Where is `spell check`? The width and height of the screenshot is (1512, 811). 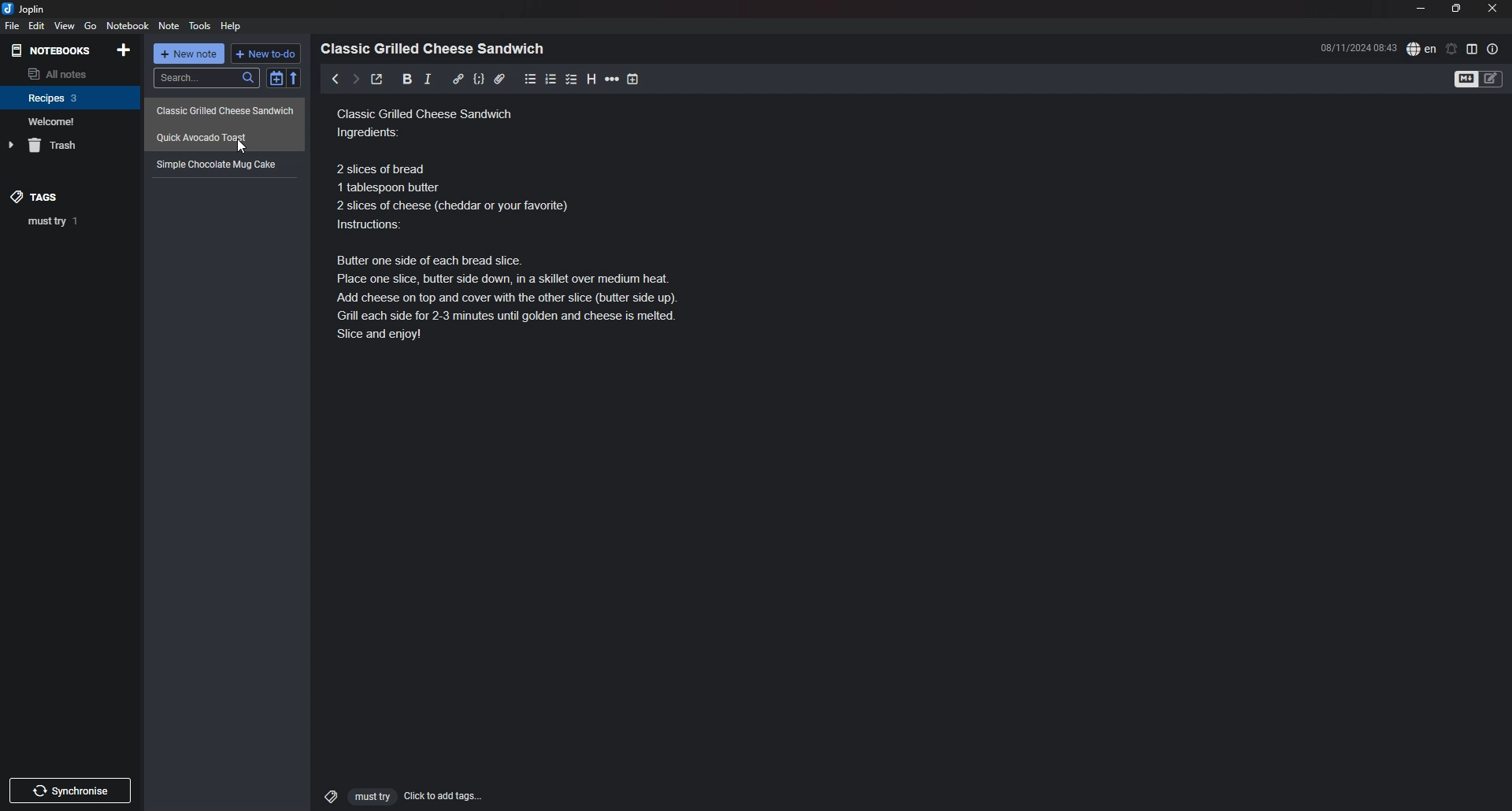
spell check is located at coordinates (1421, 48).